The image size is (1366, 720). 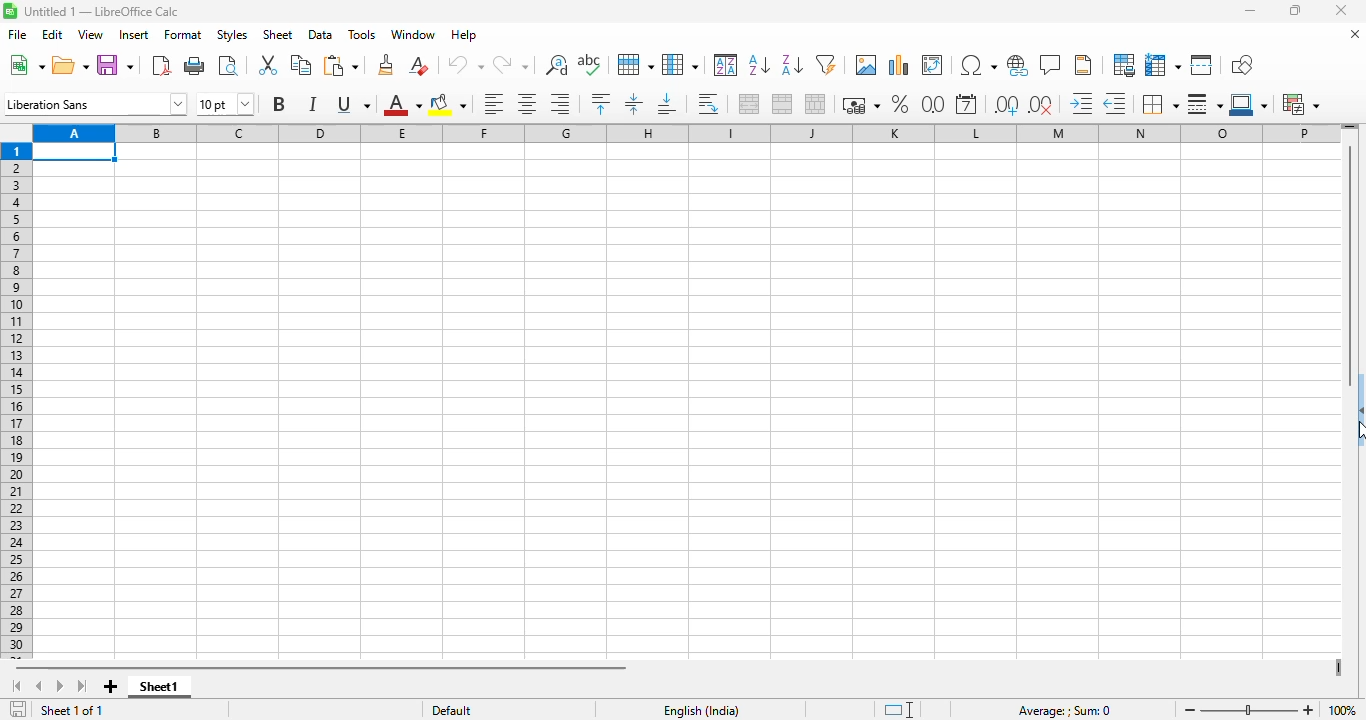 I want to click on insert or edit pivot table, so click(x=933, y=65).